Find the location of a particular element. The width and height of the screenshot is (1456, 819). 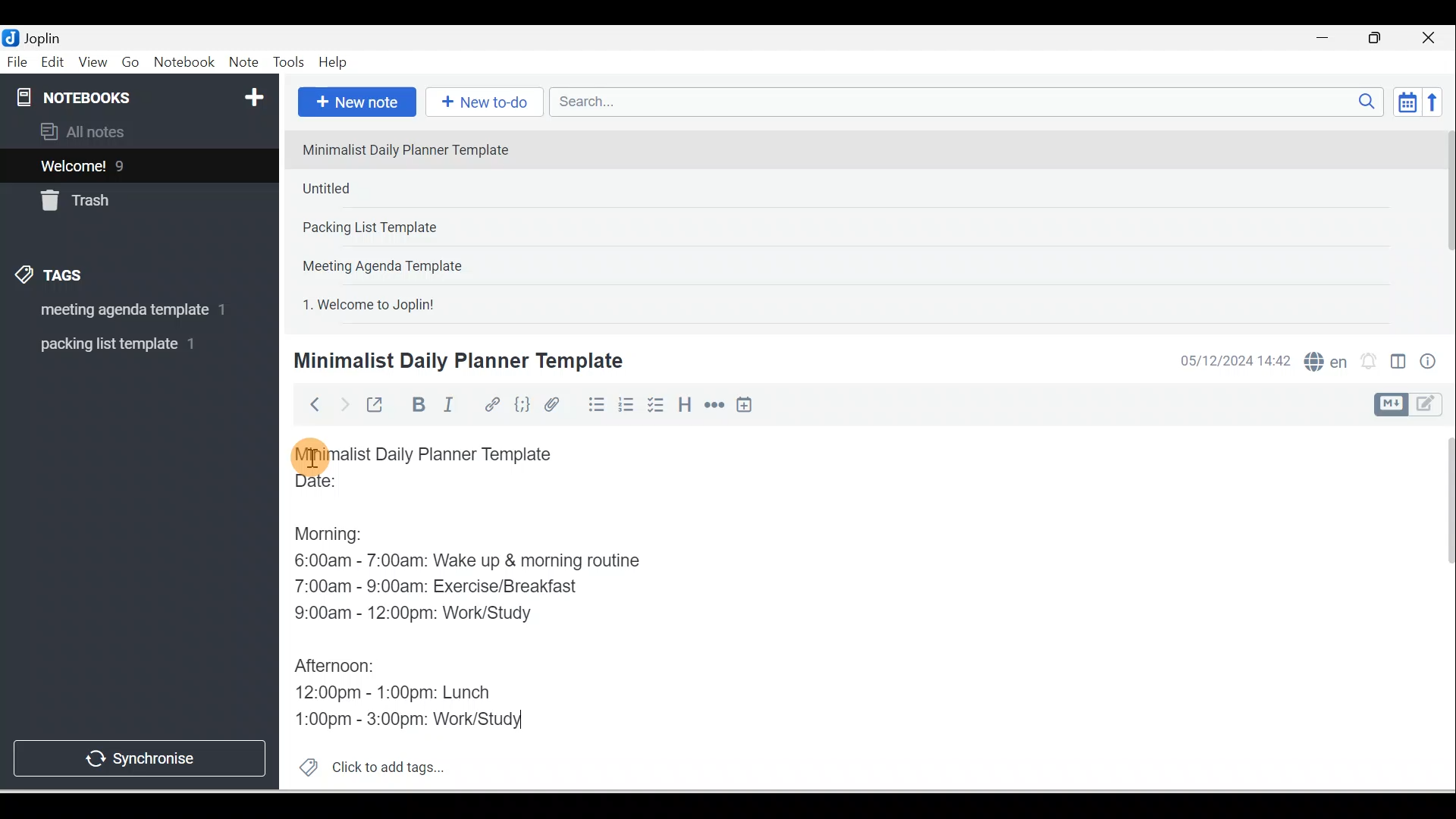

Notes is located at coordinates (128, 162).